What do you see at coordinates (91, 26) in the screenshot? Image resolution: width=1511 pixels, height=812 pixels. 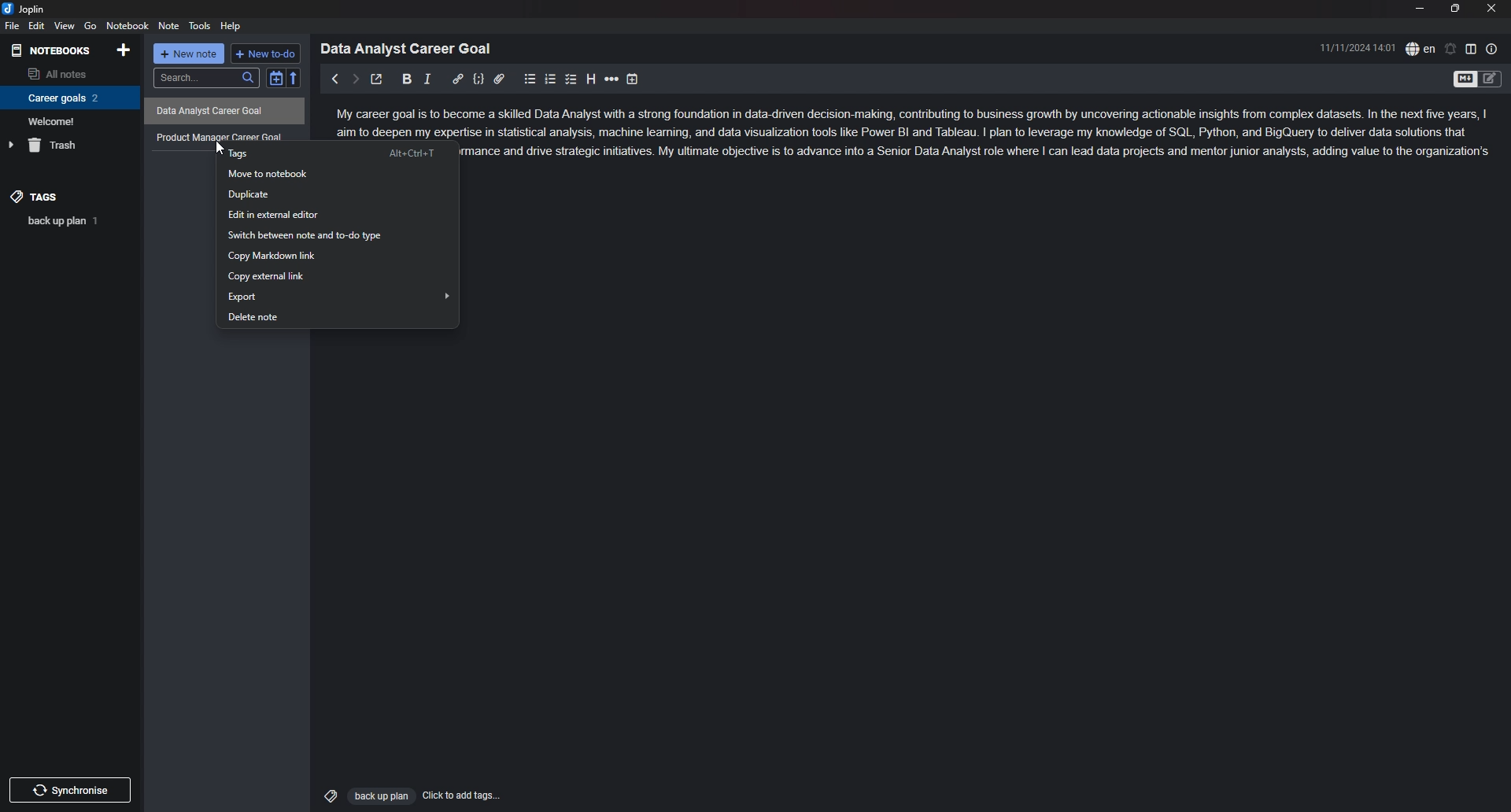 I see `go` at bounding box center [91, 26].